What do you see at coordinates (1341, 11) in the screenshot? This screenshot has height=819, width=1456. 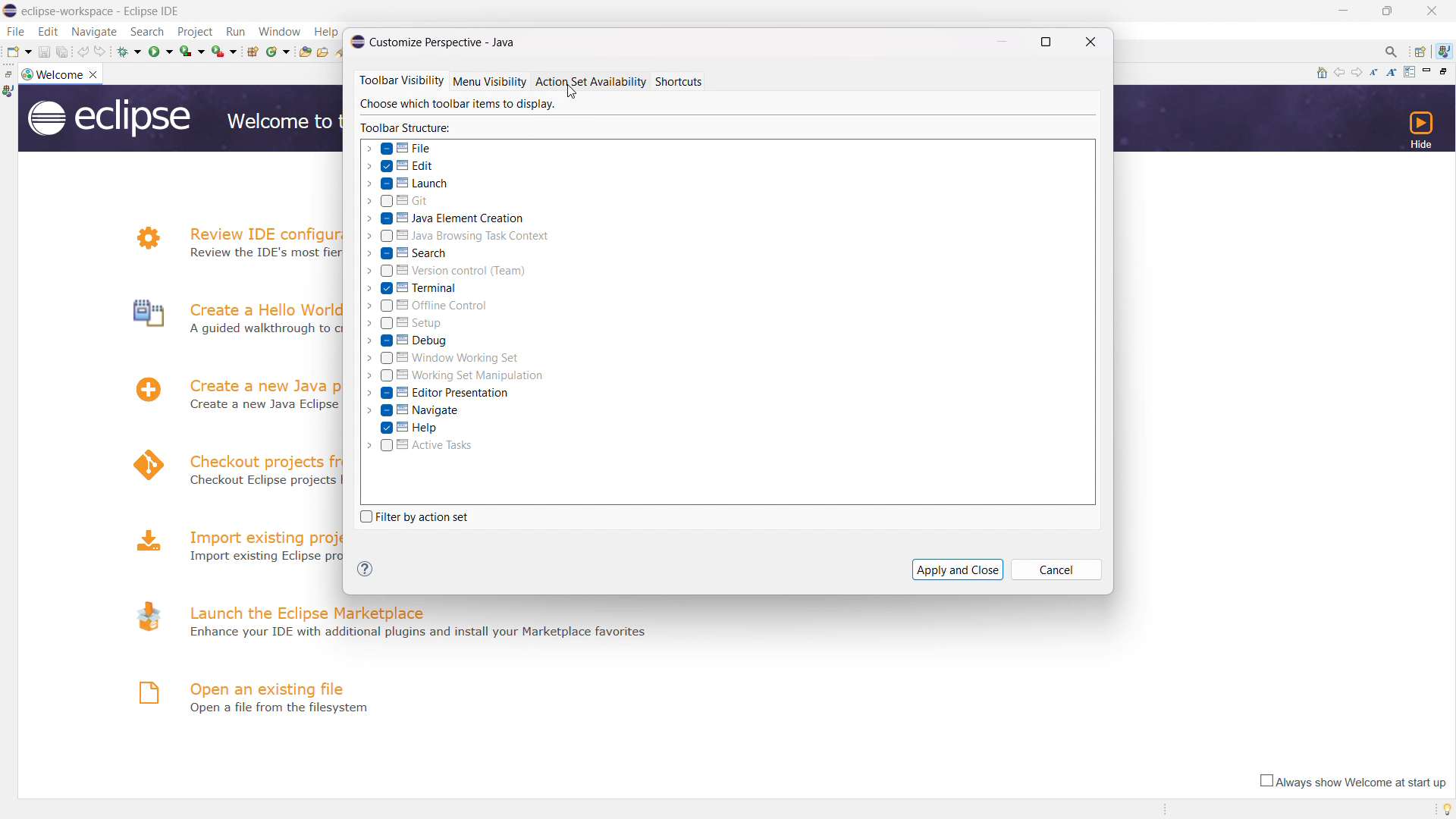 I see `minimize` at bounding box center [1341, 11].